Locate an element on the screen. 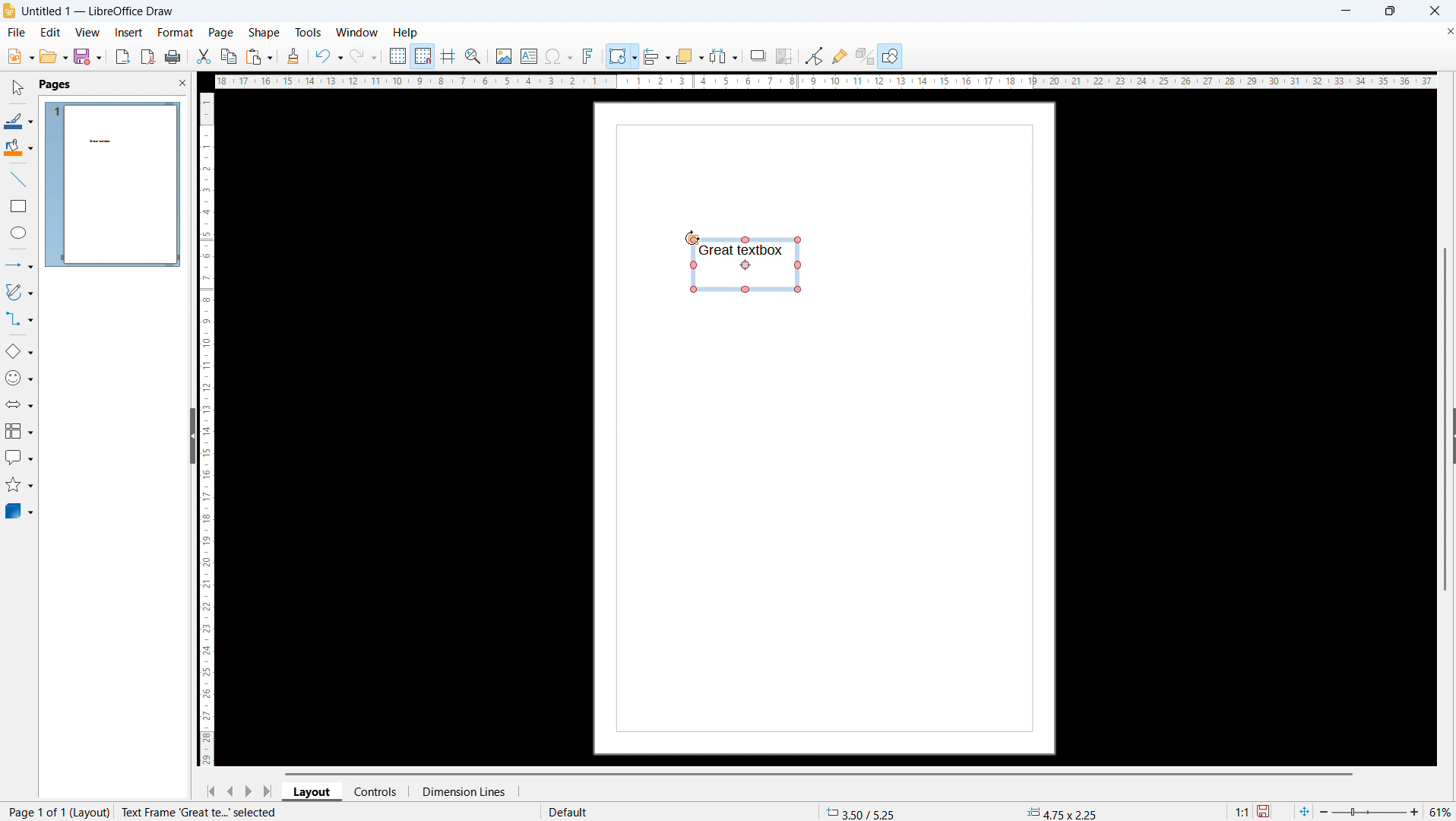  arrange is located at coordinates (689, 55).